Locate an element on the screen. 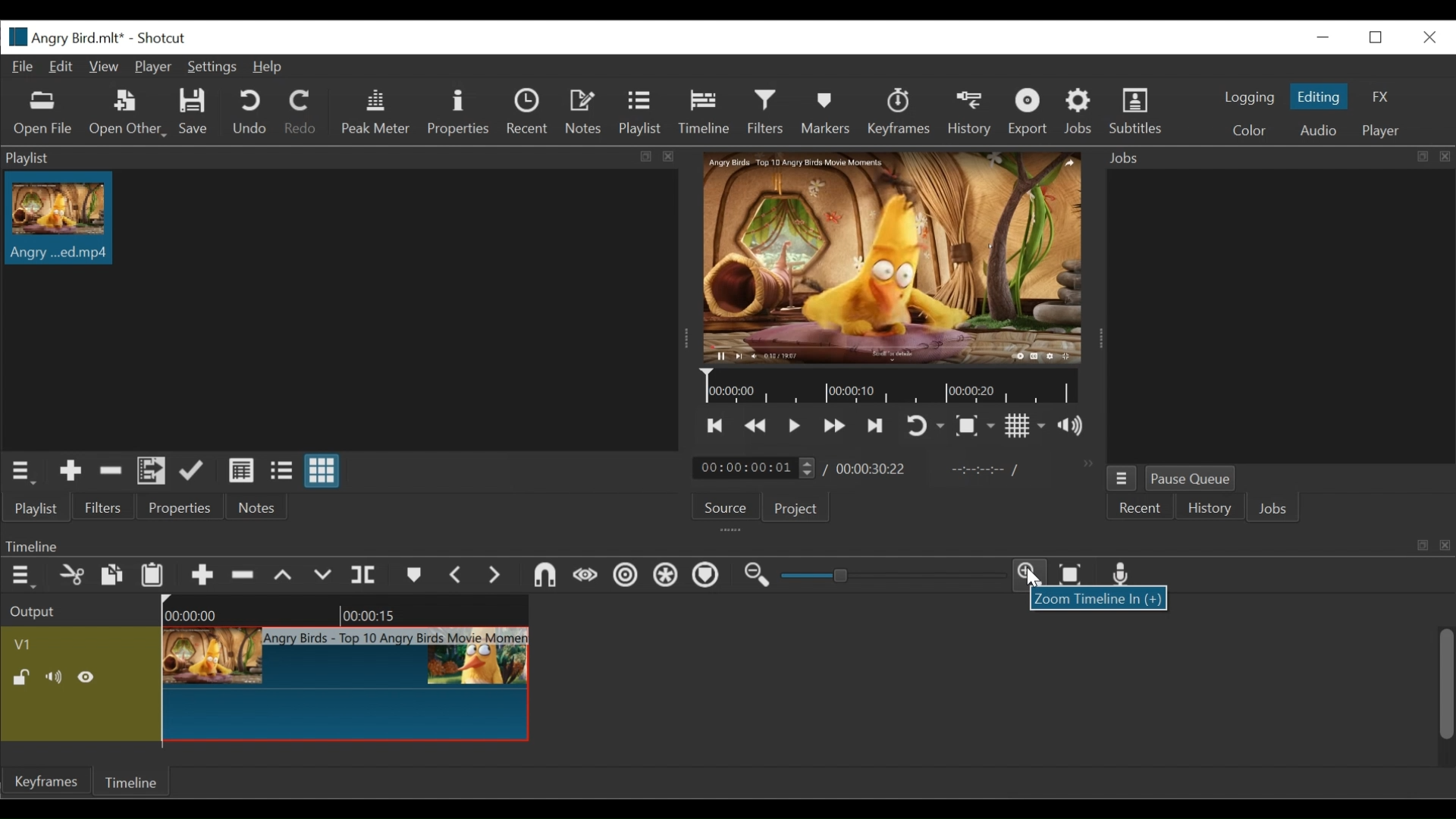  Filters is located at coordinates (767, 111).